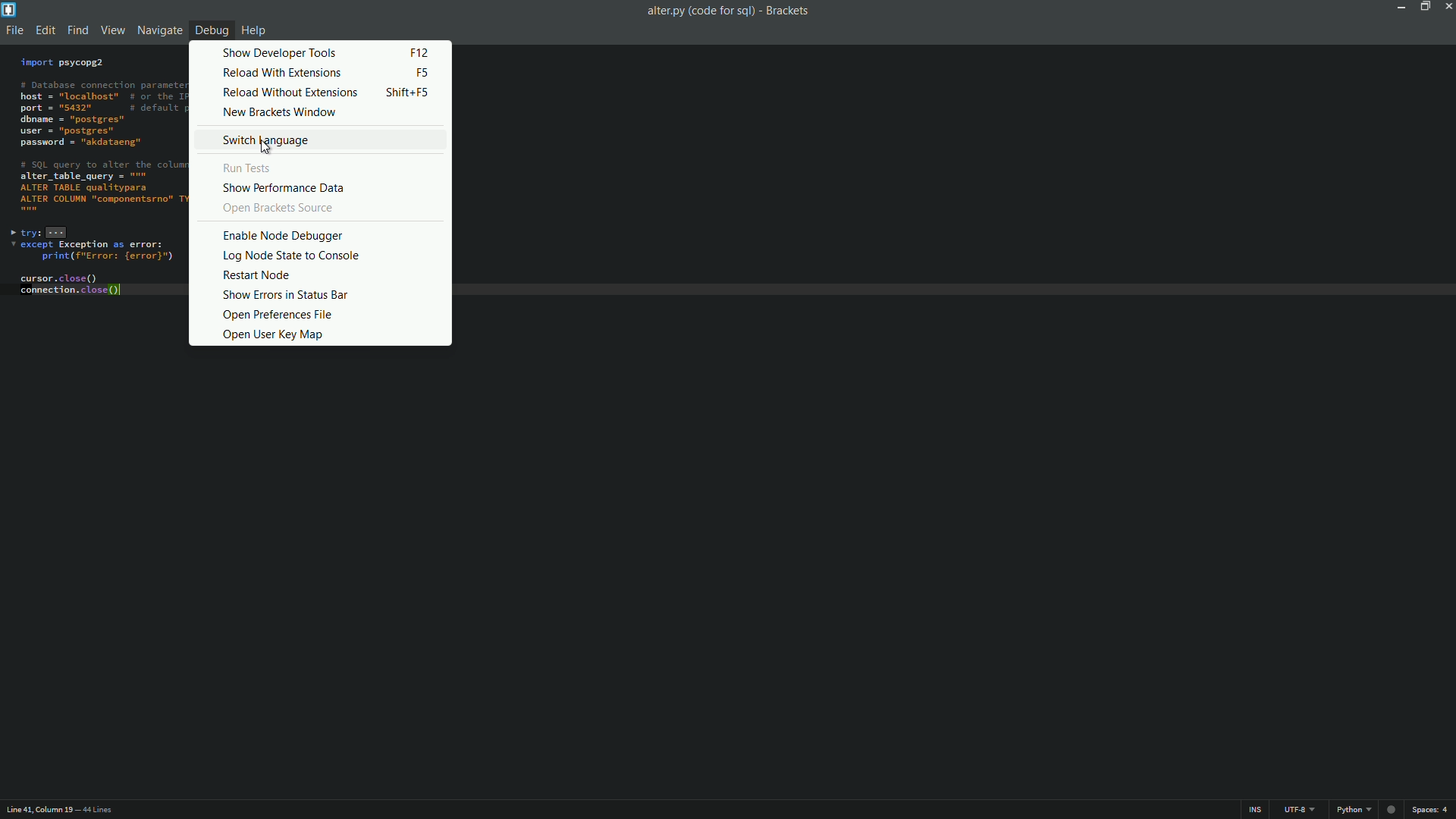  Describe the element at coordinates (288, 234) in the screenshot. I see `` at that location.